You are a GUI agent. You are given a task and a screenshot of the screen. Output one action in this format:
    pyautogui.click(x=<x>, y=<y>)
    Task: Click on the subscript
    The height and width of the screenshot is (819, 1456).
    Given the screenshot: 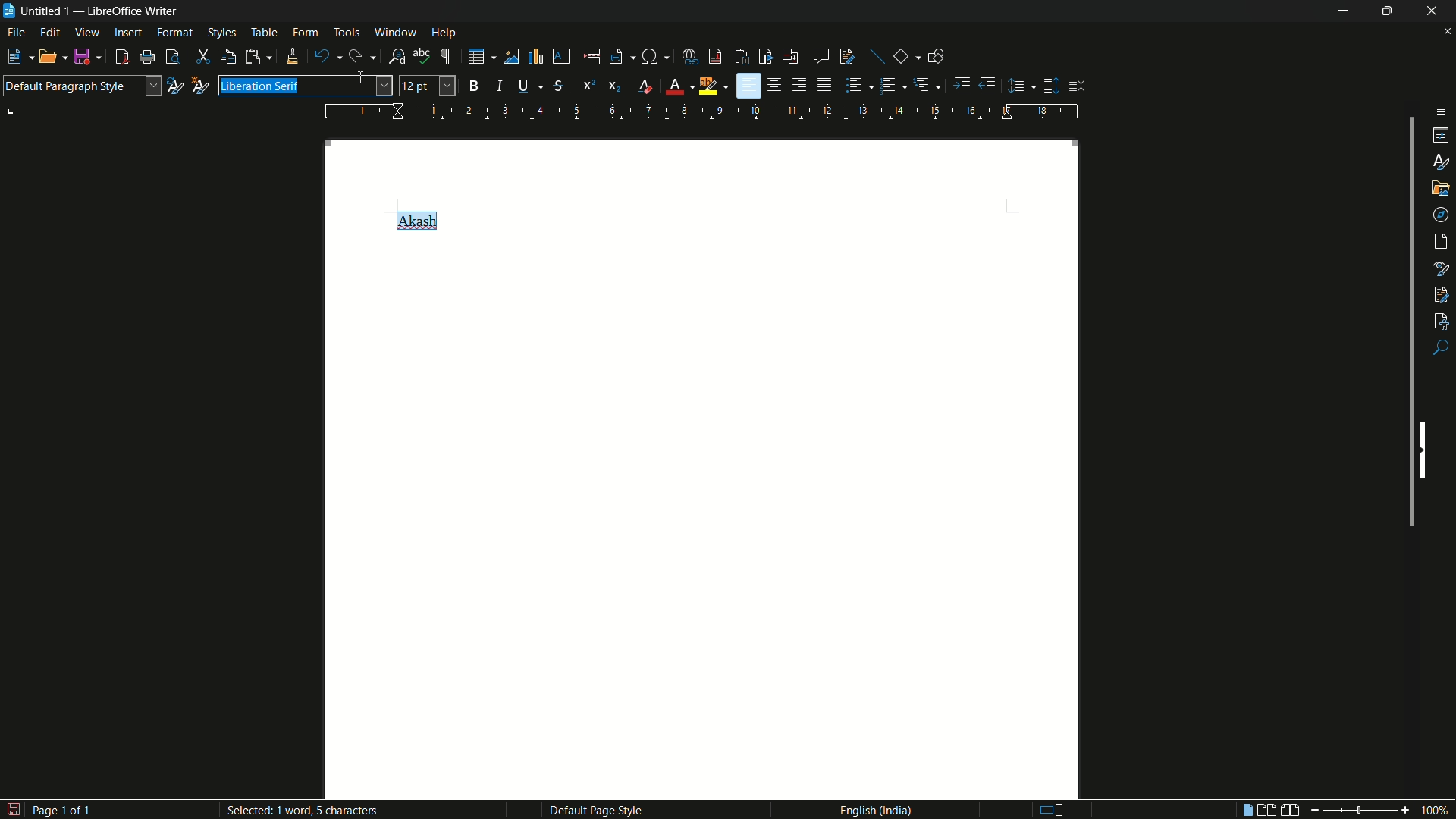 What is the action you would take?
    pyautogui.click(x=616, y=86)
    